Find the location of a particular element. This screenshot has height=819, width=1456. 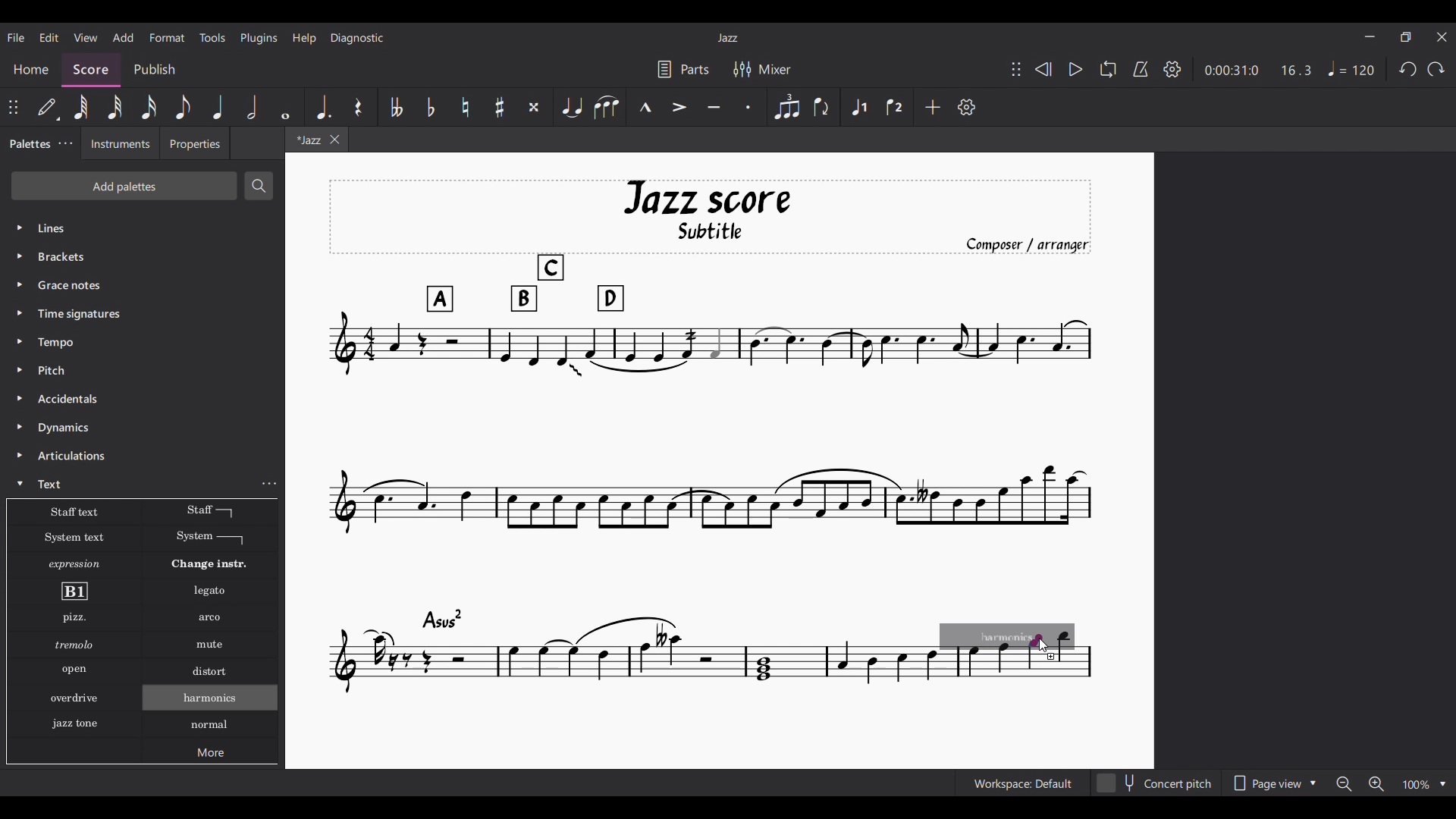

Publish section is located at coordinates (155, 70).